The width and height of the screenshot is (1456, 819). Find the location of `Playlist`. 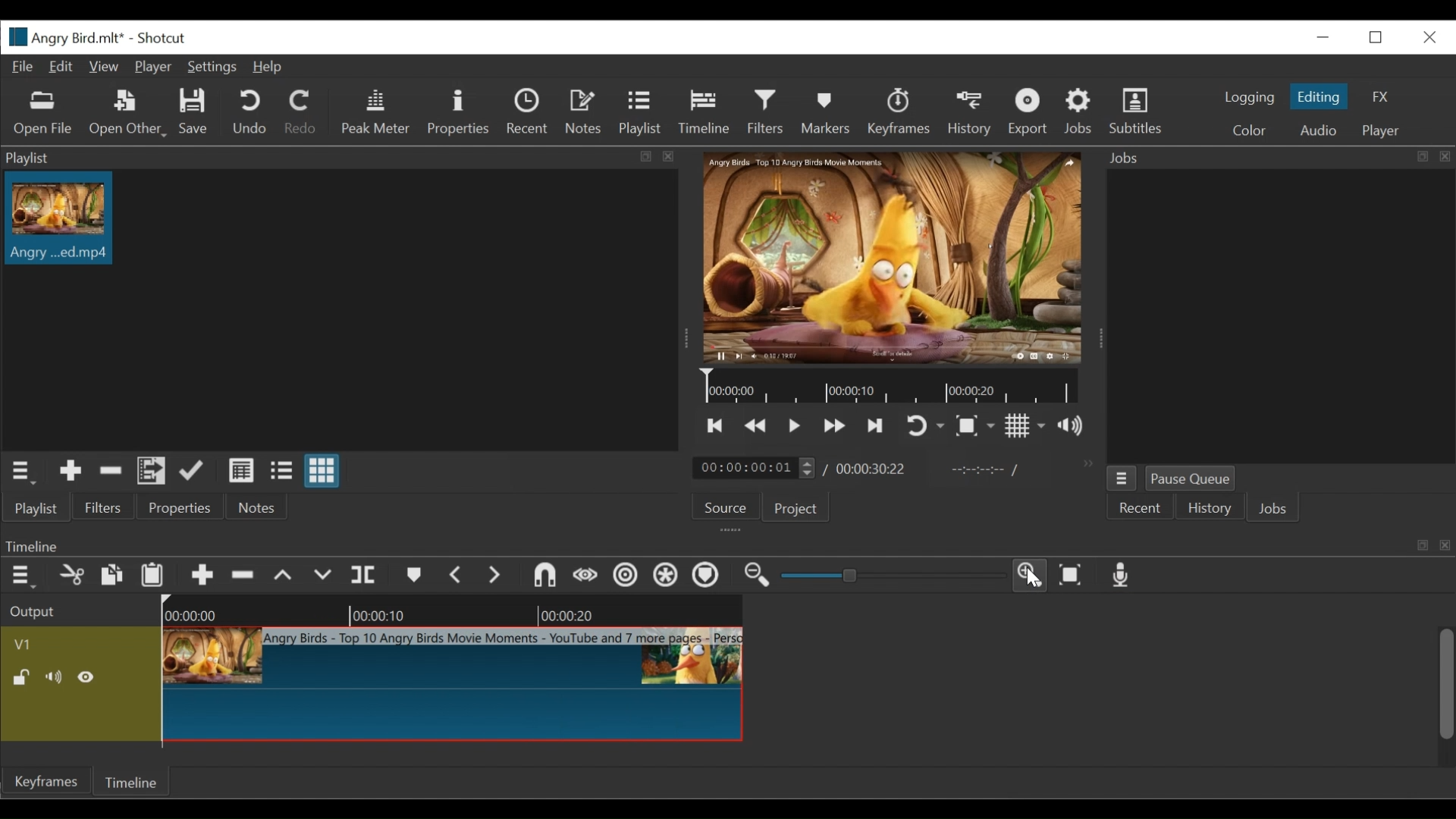

Playlist is located at coordinates (641, 113).